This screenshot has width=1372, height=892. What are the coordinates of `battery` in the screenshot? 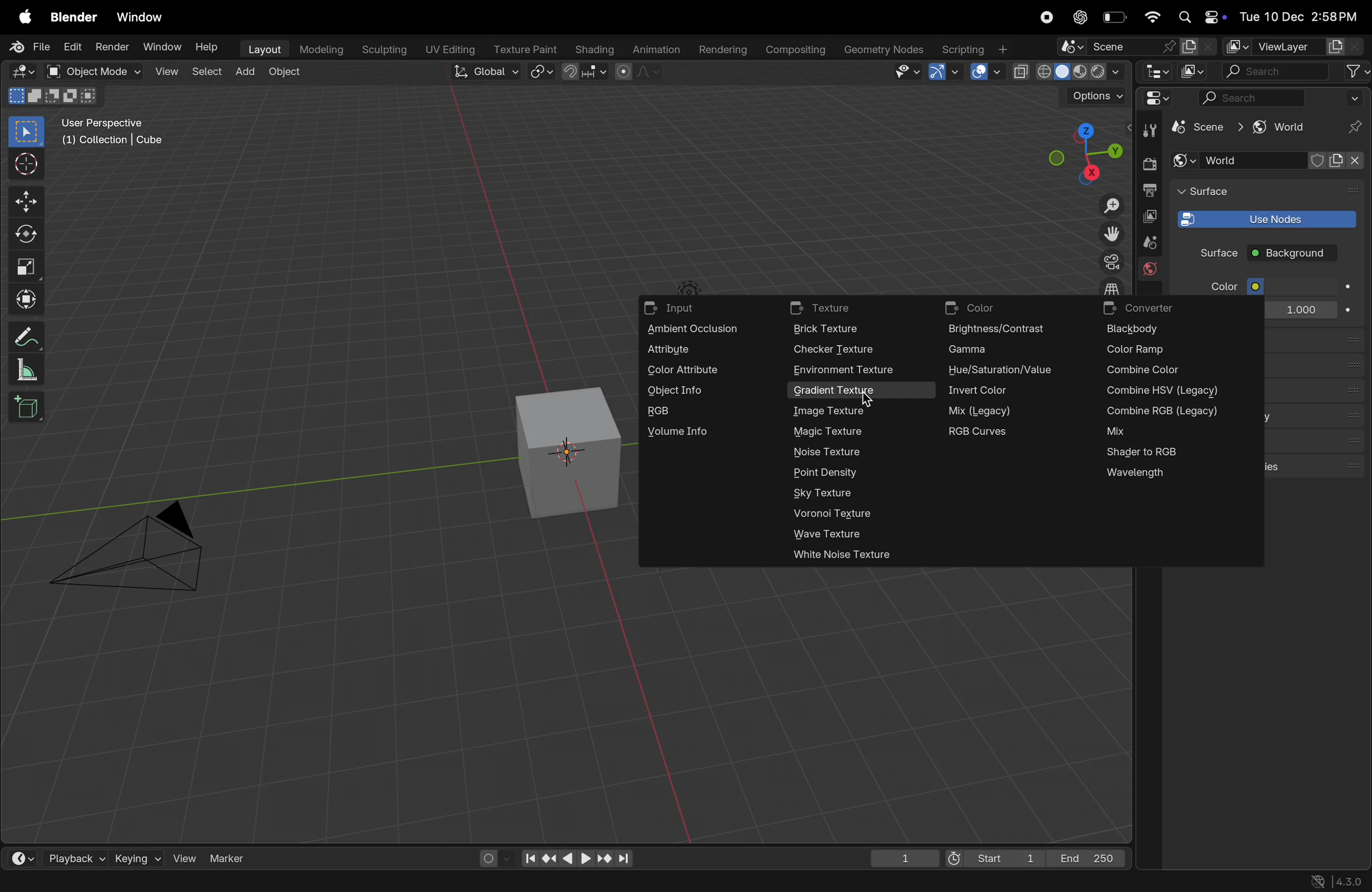 It's located at (1115, 17).